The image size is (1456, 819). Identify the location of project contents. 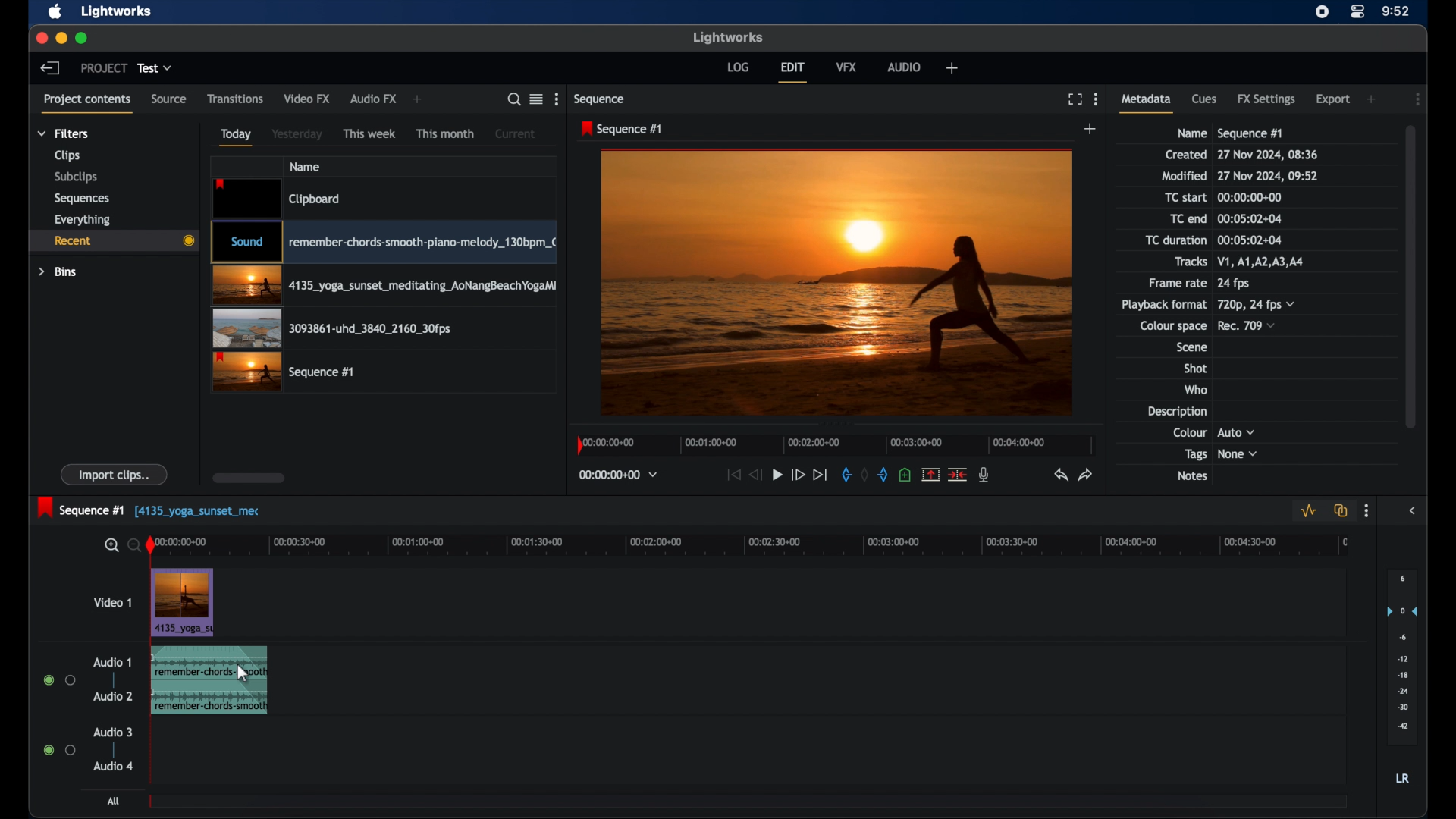
(87, 103).